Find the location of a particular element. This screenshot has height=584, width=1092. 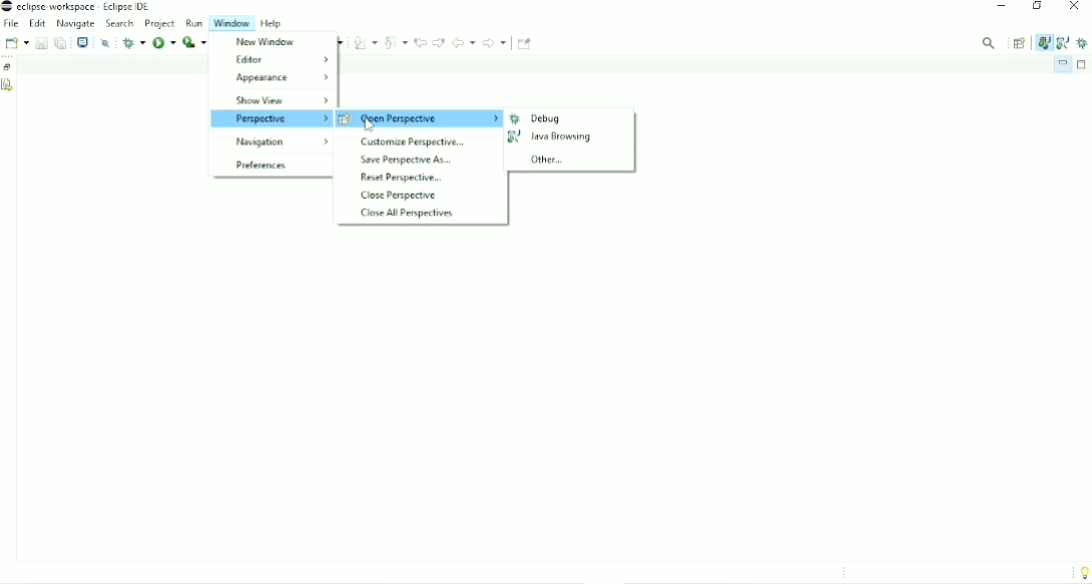

Show View is located at coordinates (282, 101).